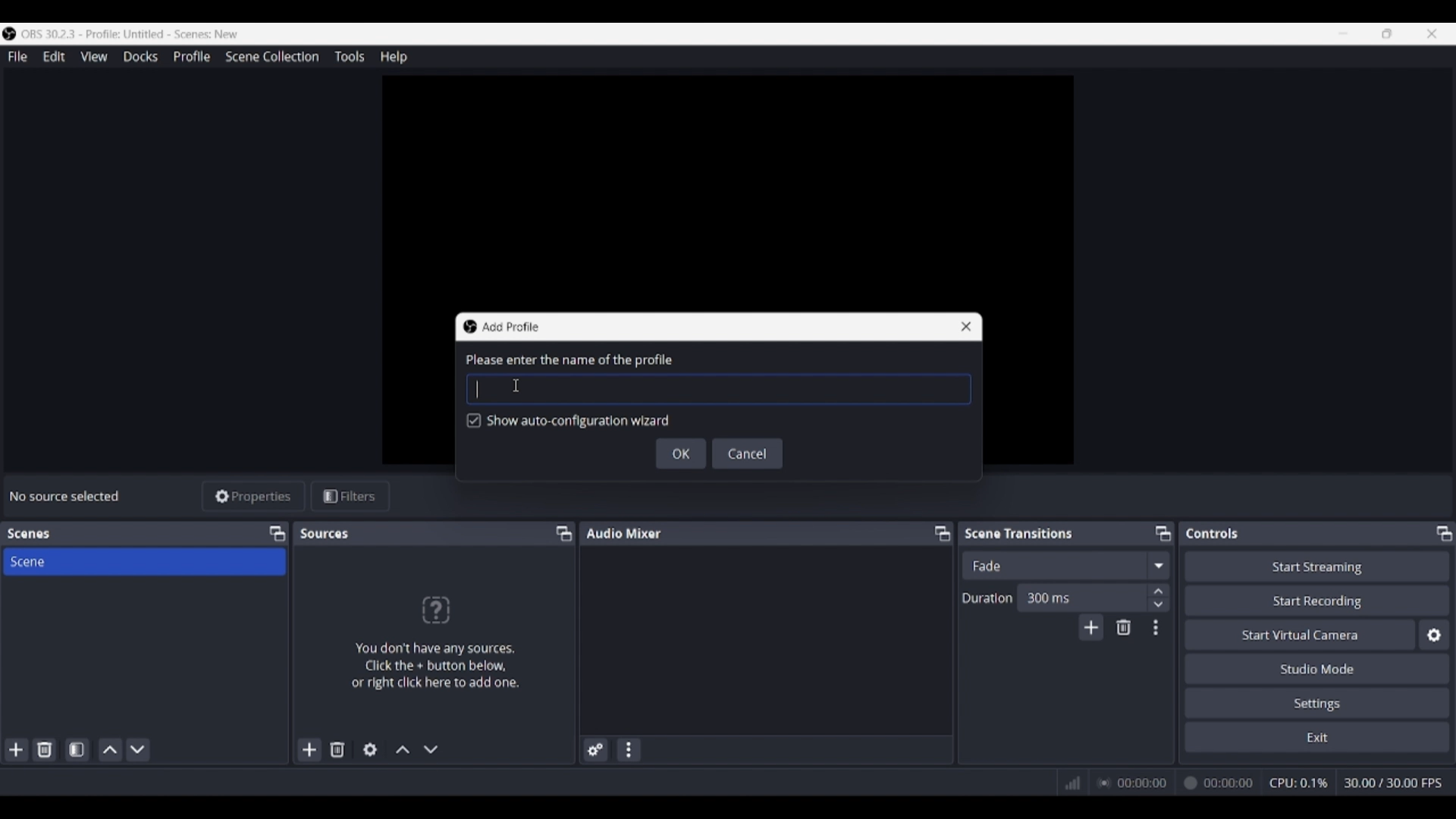 Image resolution: width=1456 pixels, height=819 pixels. Describe the element at coordinates (518, 384) in the screenshot. I see `Cursor` at that location.